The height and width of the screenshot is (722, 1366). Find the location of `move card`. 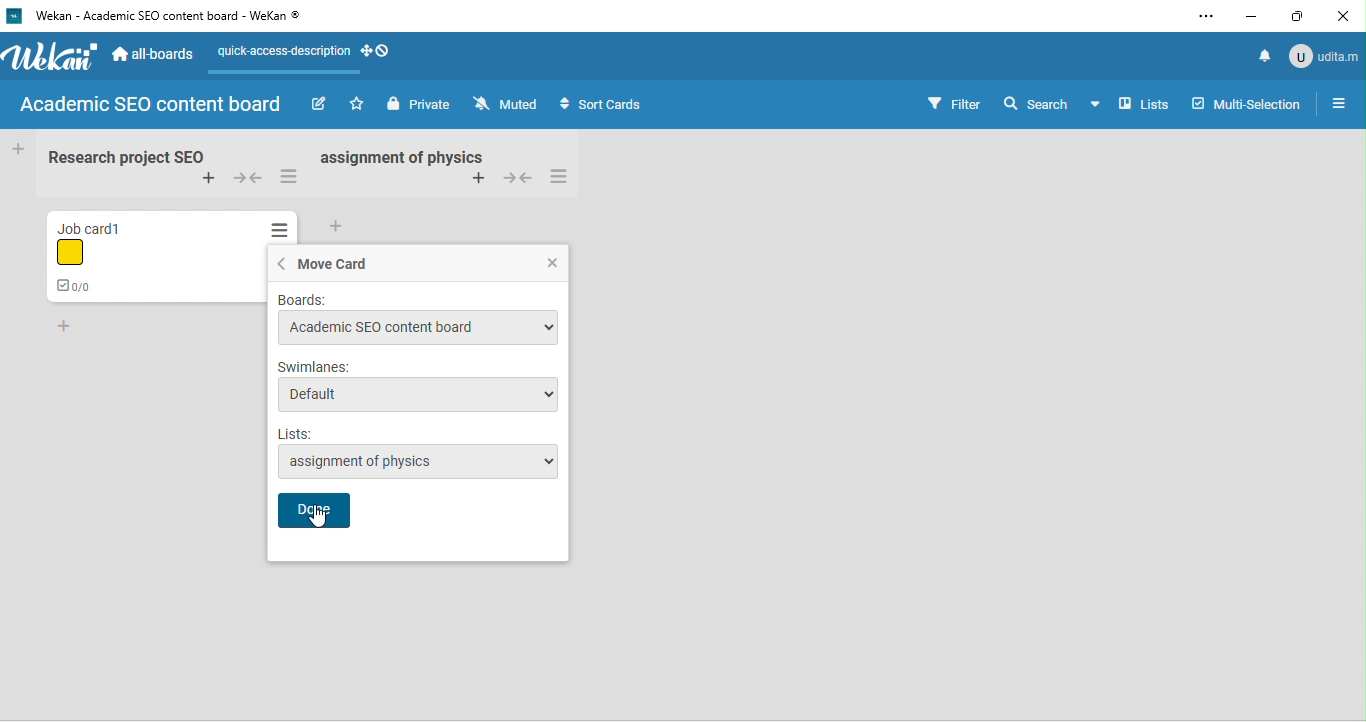

move card is located at coordinates (330, 264).